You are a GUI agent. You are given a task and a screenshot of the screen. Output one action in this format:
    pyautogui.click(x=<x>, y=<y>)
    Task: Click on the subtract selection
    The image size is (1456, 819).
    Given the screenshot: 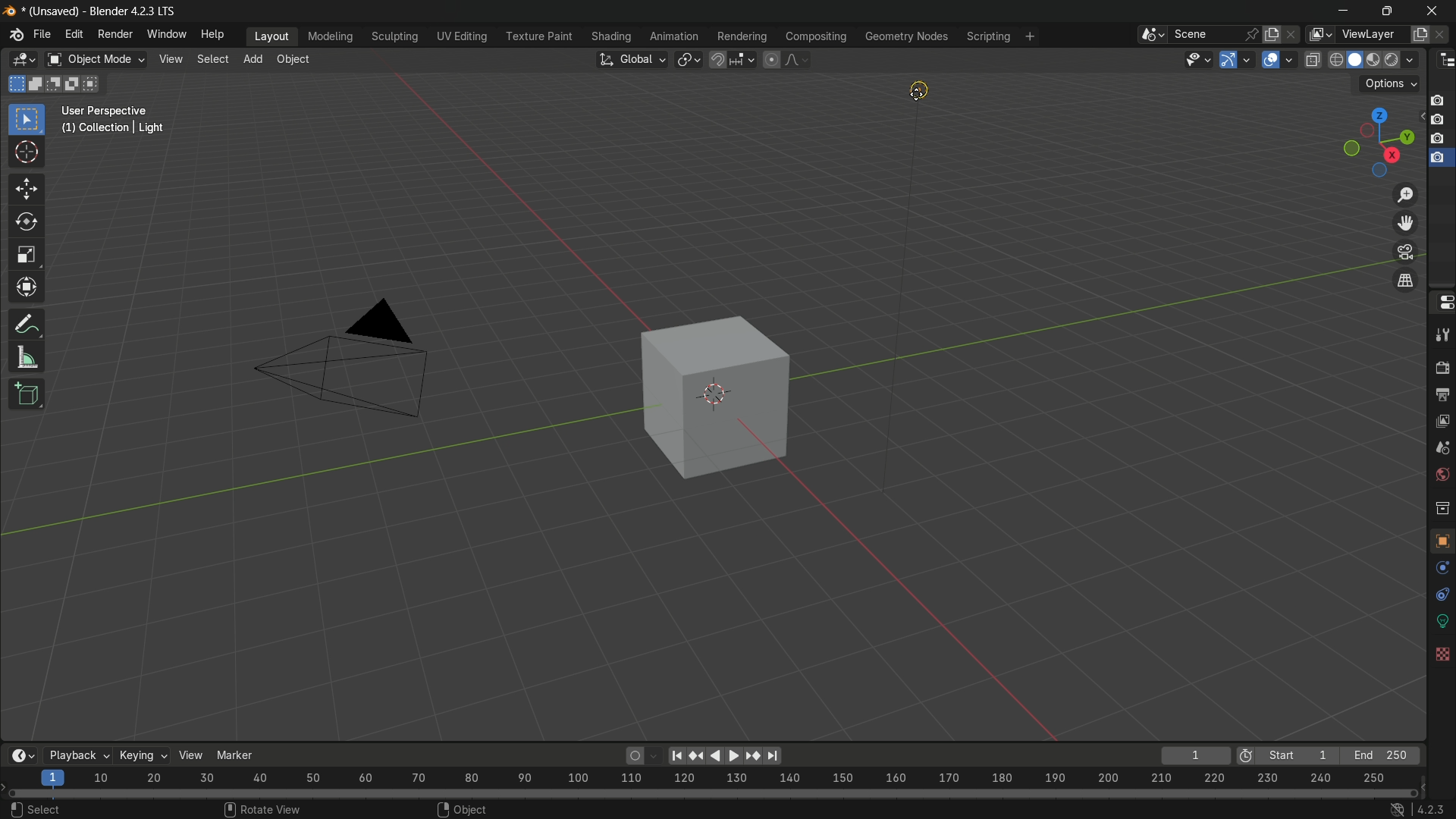 What is the action you would take?
    pyautogui.click(x=58, y=84)
    